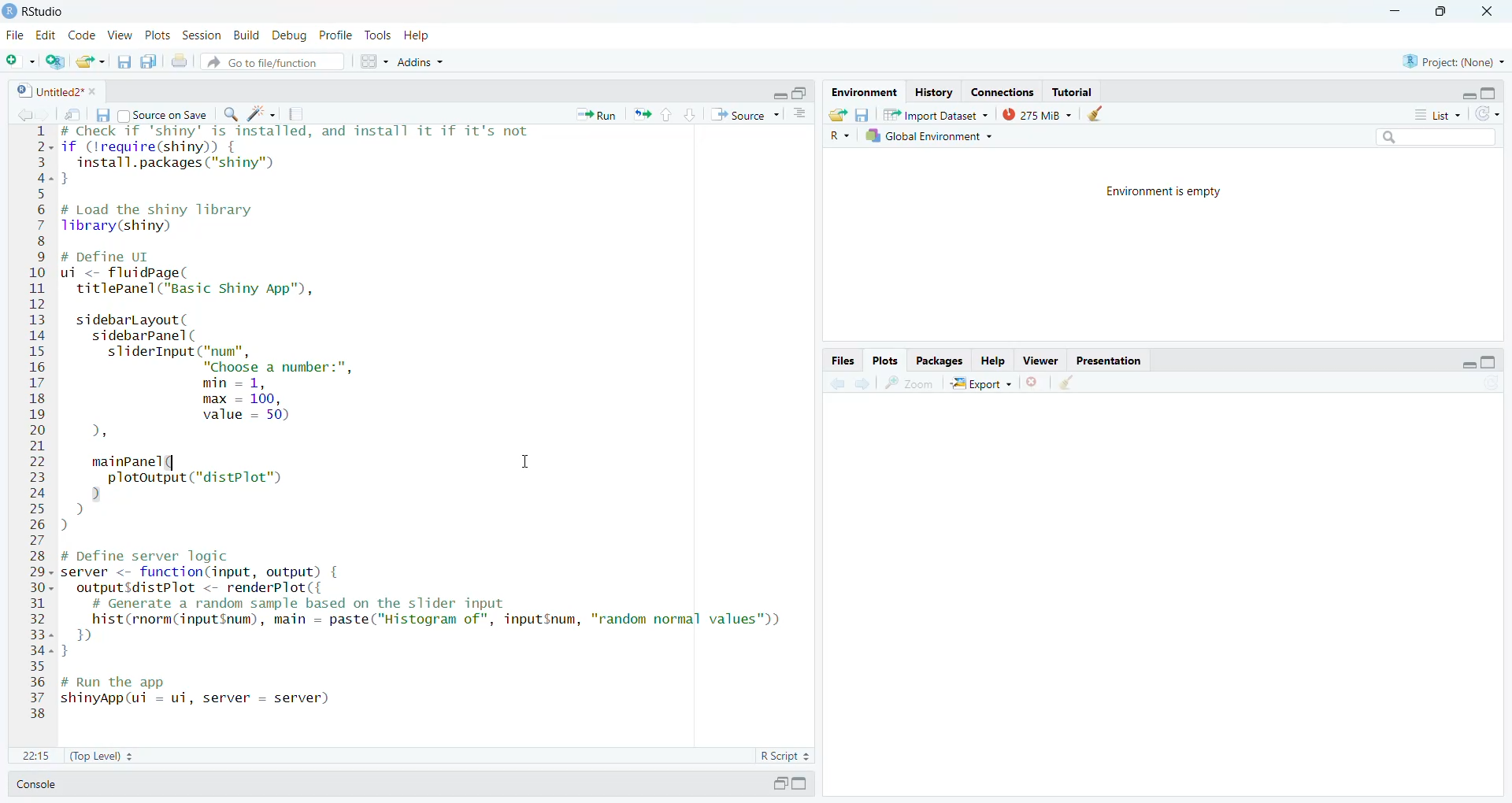 Image resolution: width=1512 pixels, height=803 pixels. What do you see at coordinates (291, 35) in the screenshot?
I see `Debug` at bounding box center [291, 35].